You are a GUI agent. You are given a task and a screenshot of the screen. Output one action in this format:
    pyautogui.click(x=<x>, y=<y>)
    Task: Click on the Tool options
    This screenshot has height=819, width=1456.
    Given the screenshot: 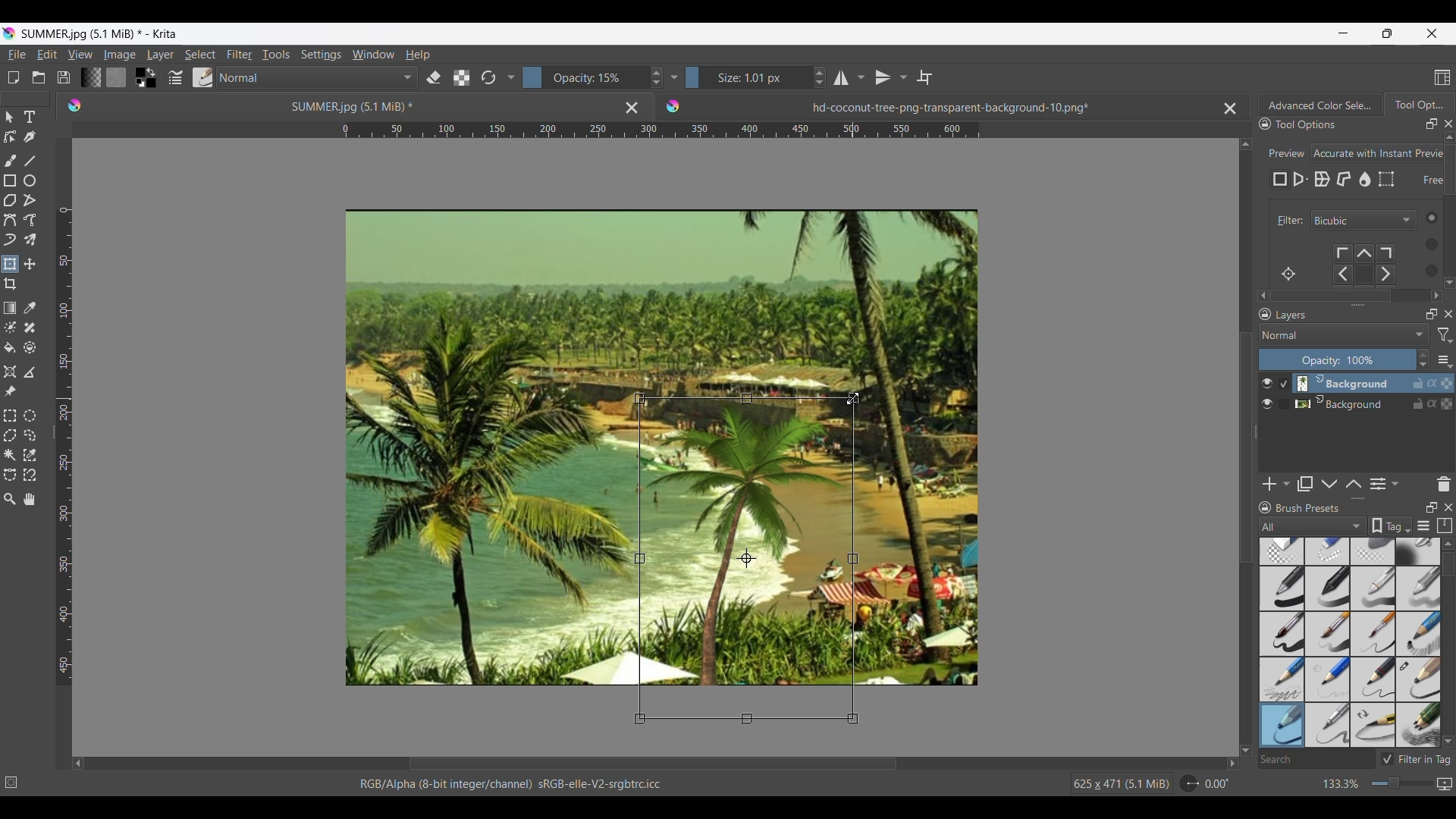 What is the action you would take?
    pyautogui.click(x=1321, y=124)
    